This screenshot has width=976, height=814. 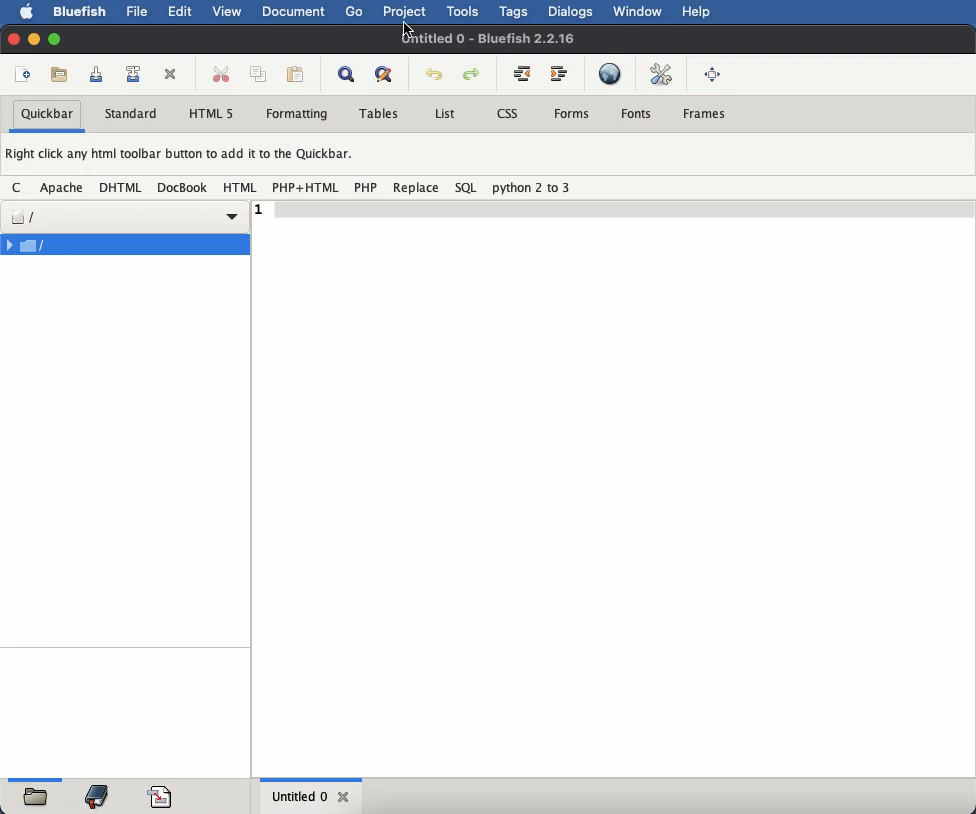 I want to click on bookmark, so click(x=99, y=795).